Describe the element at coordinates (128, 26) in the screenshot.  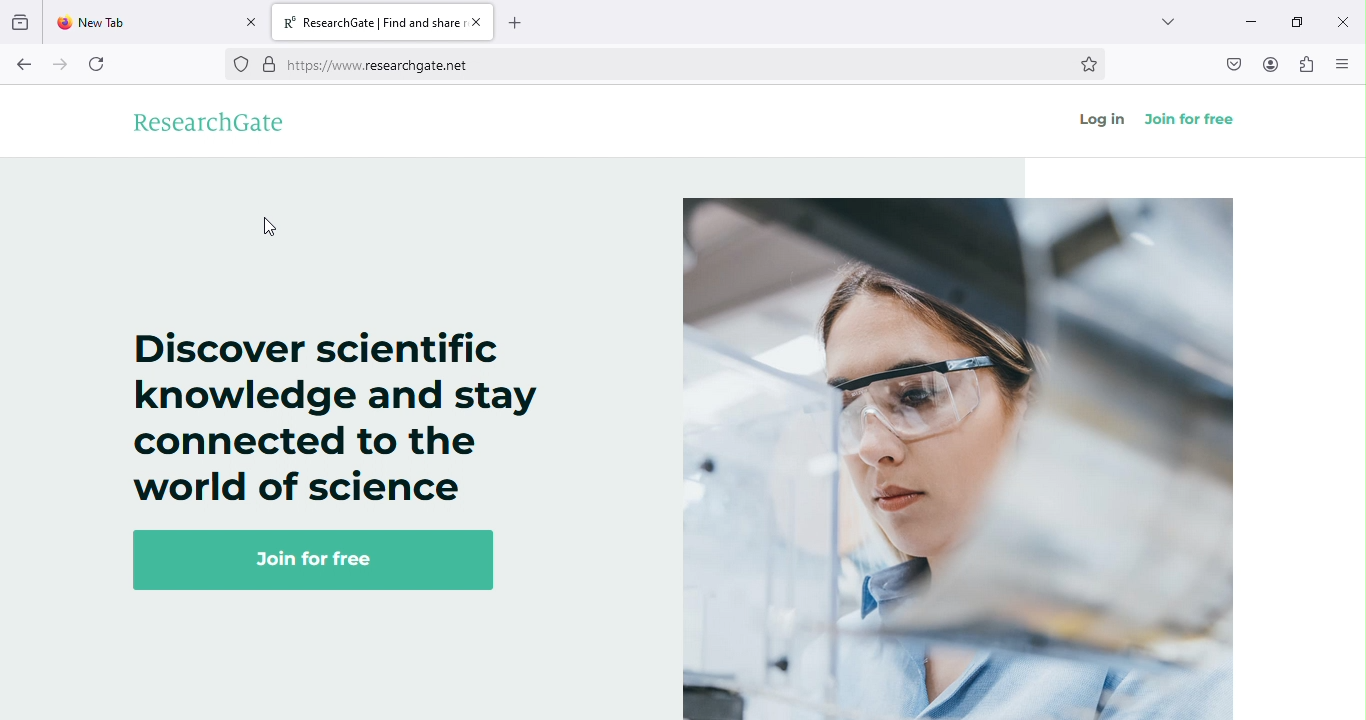
I see `New Tab` at that location.